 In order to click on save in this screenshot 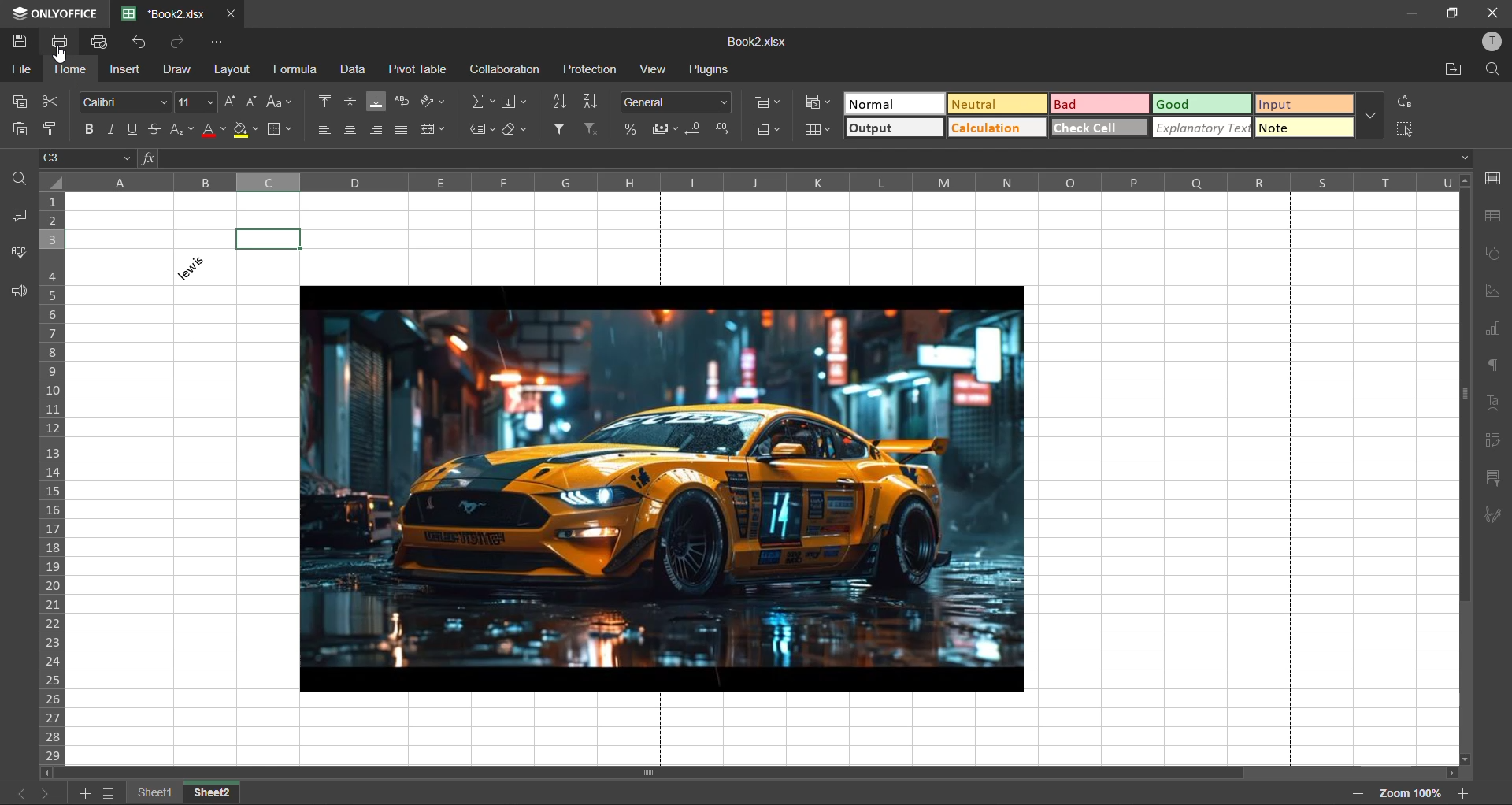, I will do `click(20, 42)`.